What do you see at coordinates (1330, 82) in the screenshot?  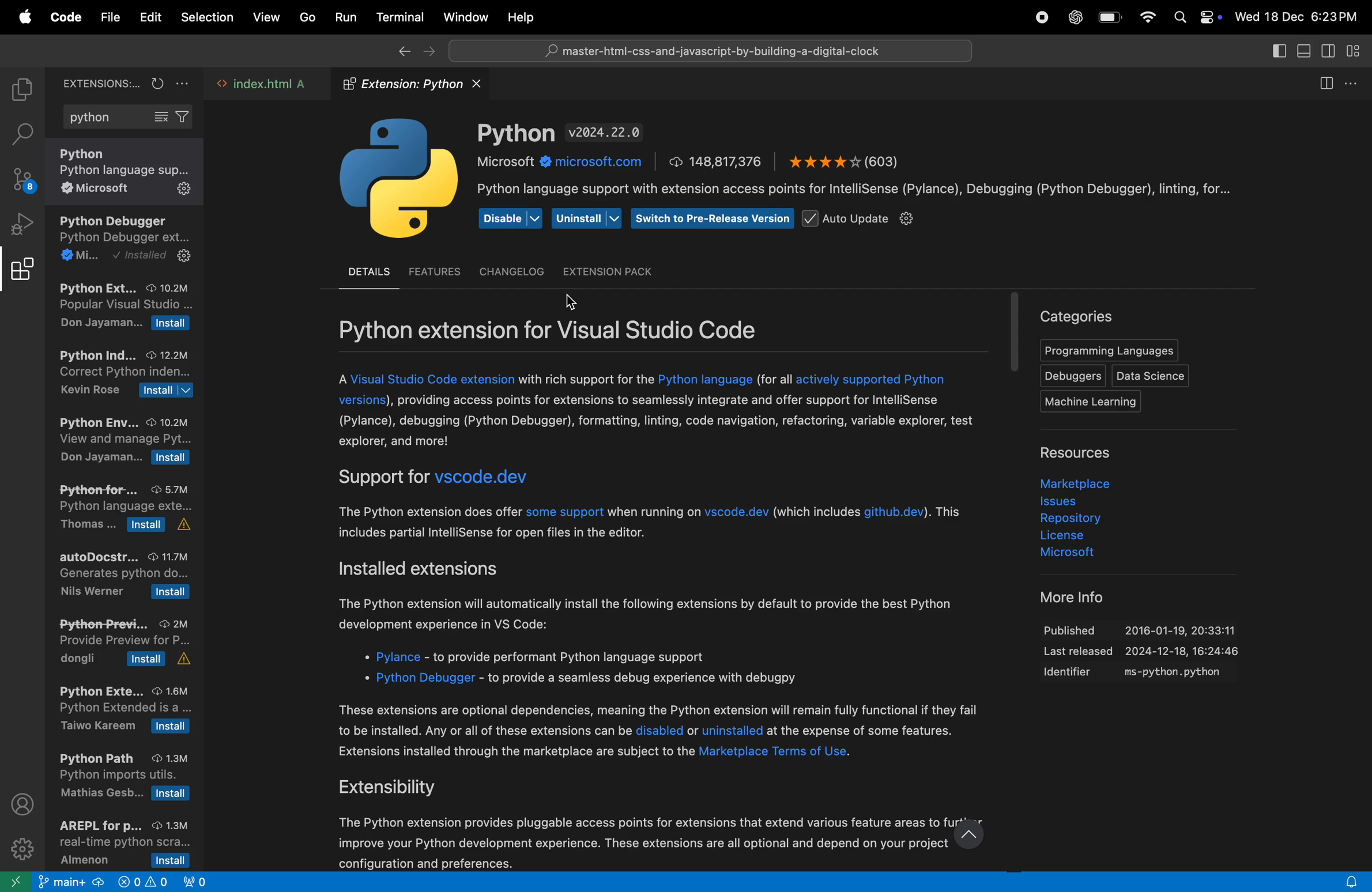 I see `split editor` at bounding box center [1330, 82].